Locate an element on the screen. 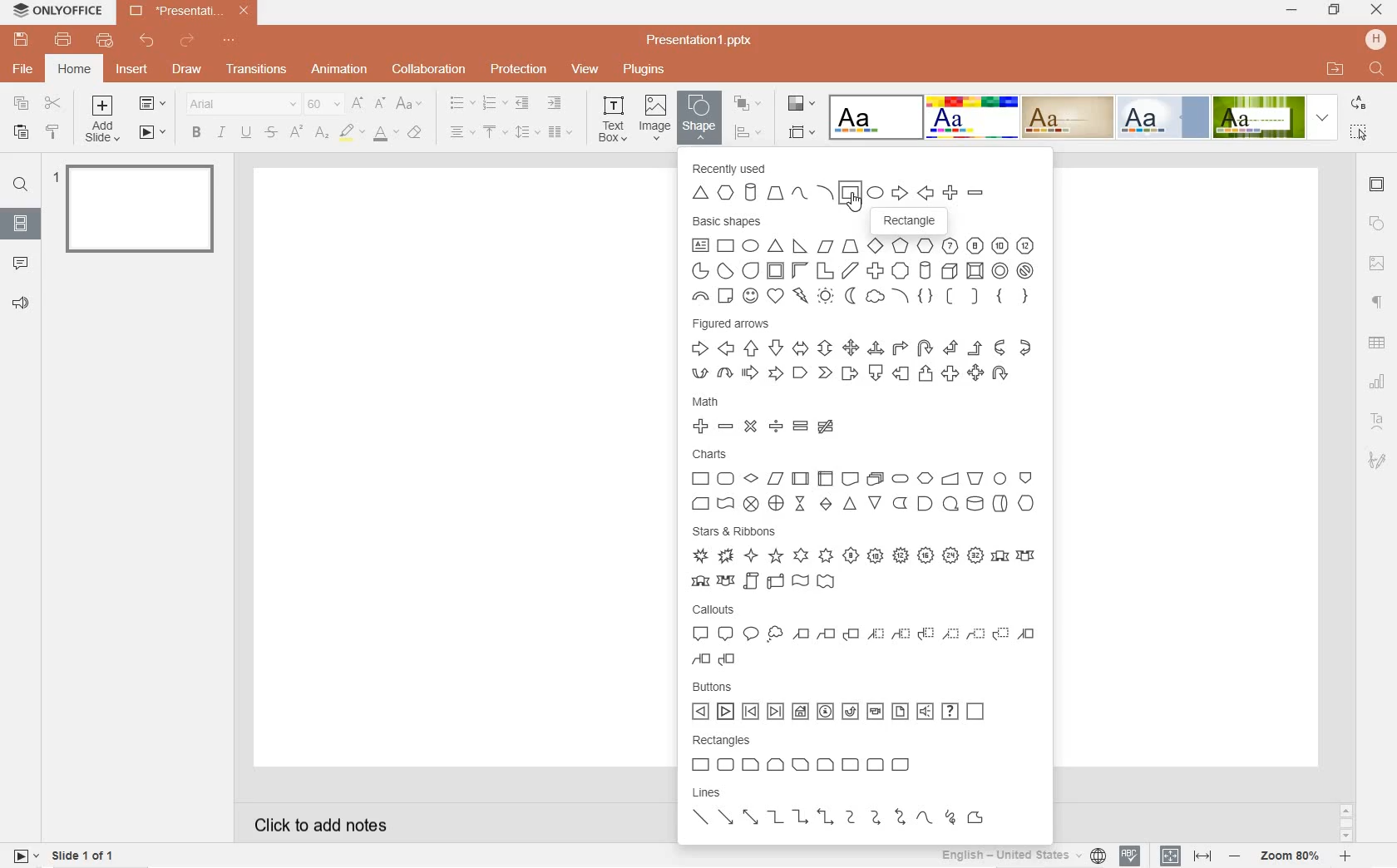 The height and width of the screenshot is (868, 1397). End button is located at coordinates (773, 710).